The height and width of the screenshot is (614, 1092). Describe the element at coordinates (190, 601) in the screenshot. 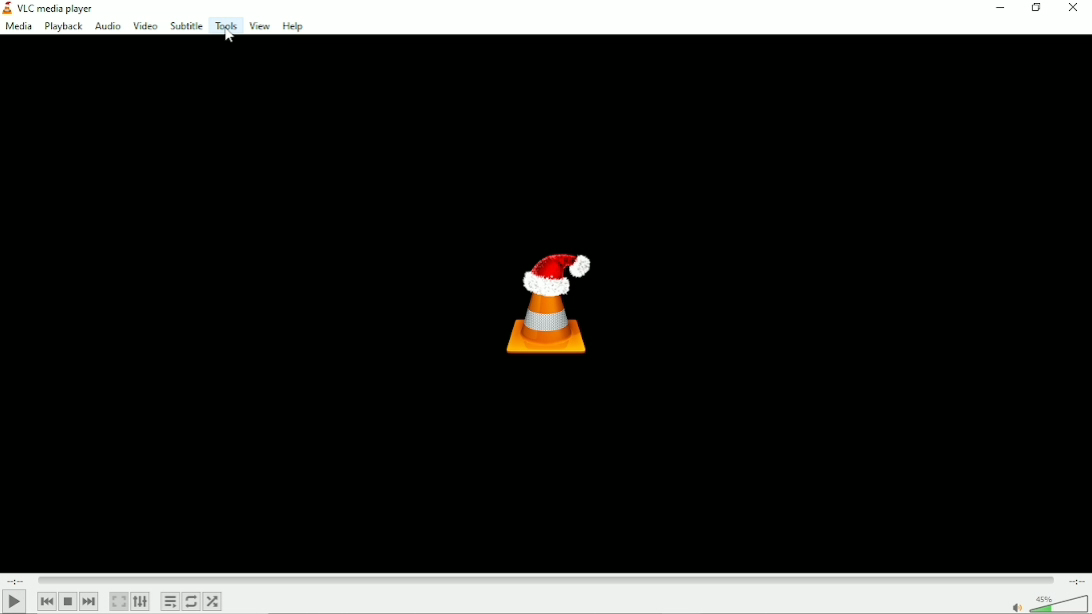

I see `Toggle between loop all, loop one and no loop` at that location.